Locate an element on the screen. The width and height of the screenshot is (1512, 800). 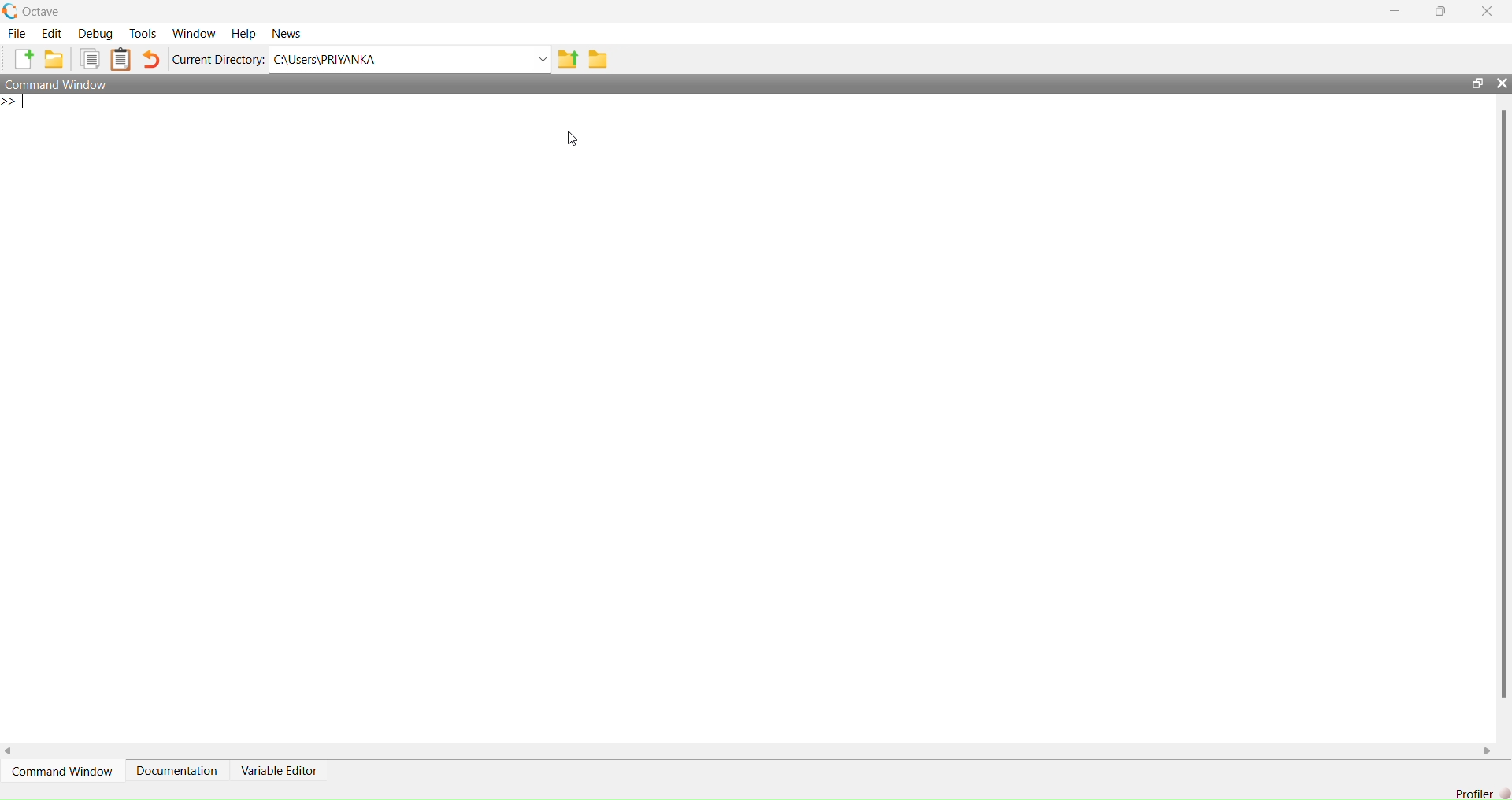
Profiler is located at coordinates (1482, 793).